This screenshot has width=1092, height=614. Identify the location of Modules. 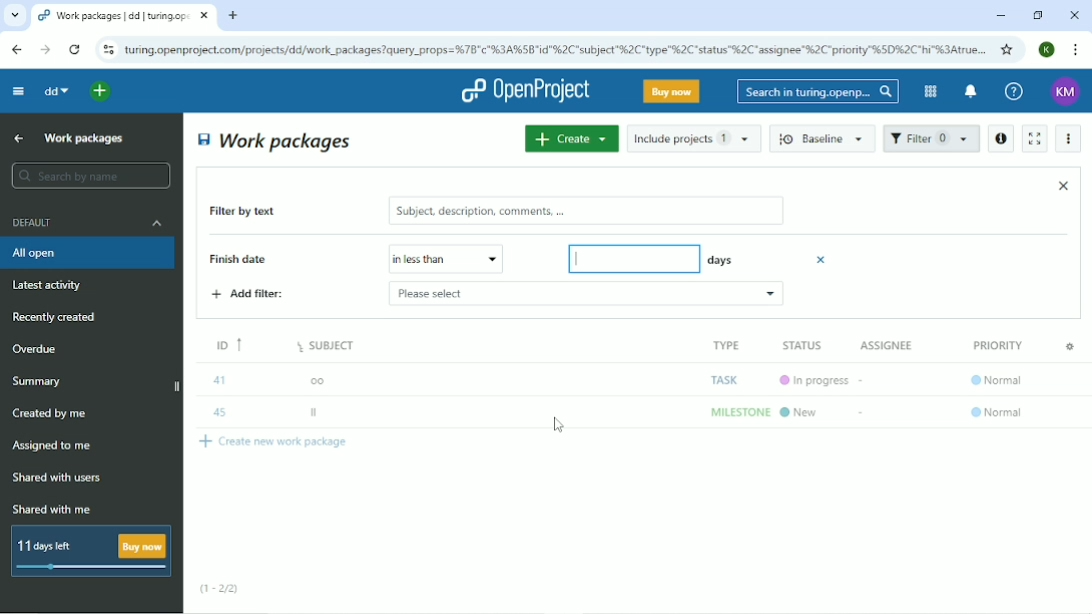
(928, 91).